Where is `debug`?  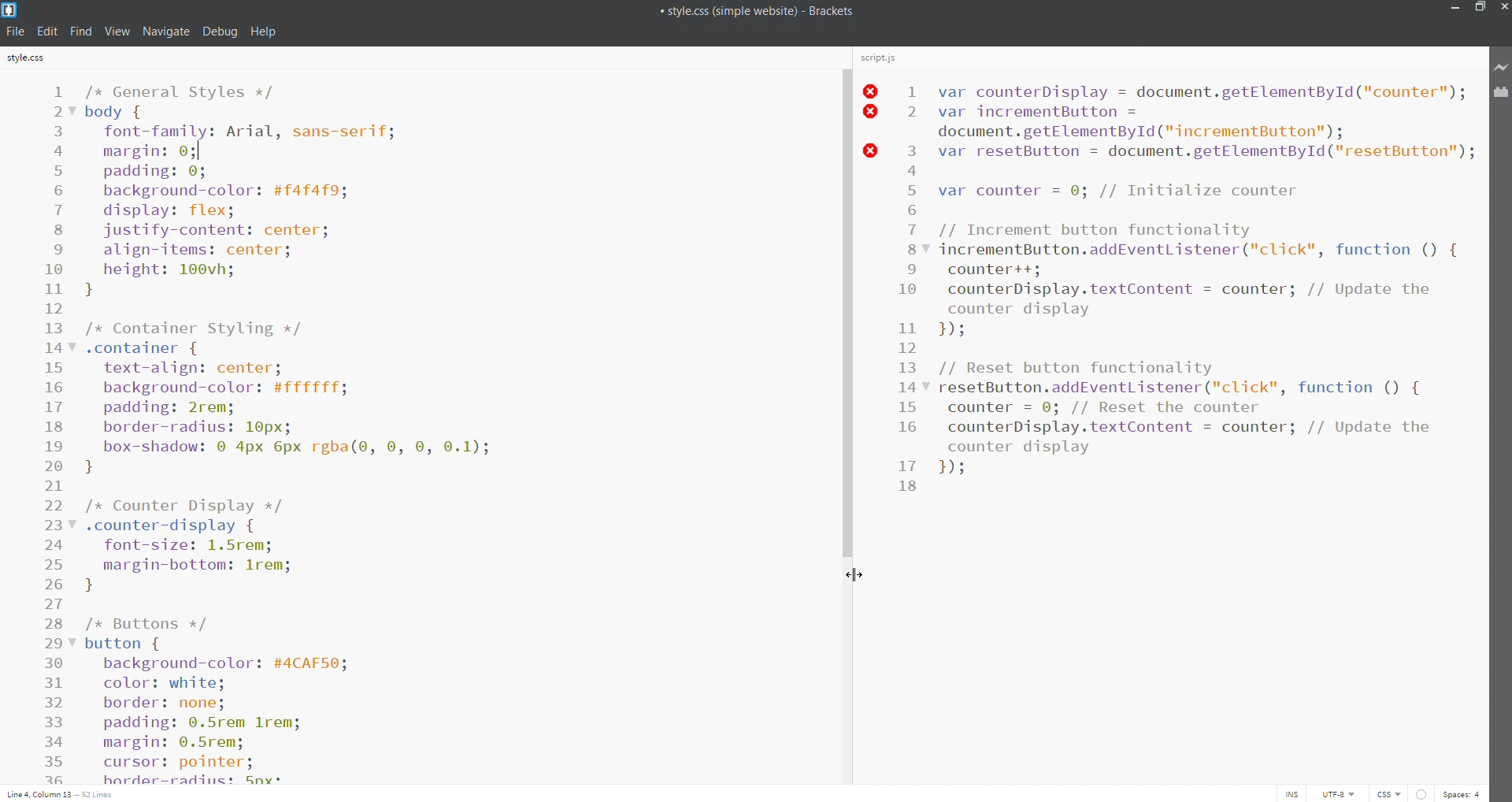 debug is located at coordinates (220, 32).